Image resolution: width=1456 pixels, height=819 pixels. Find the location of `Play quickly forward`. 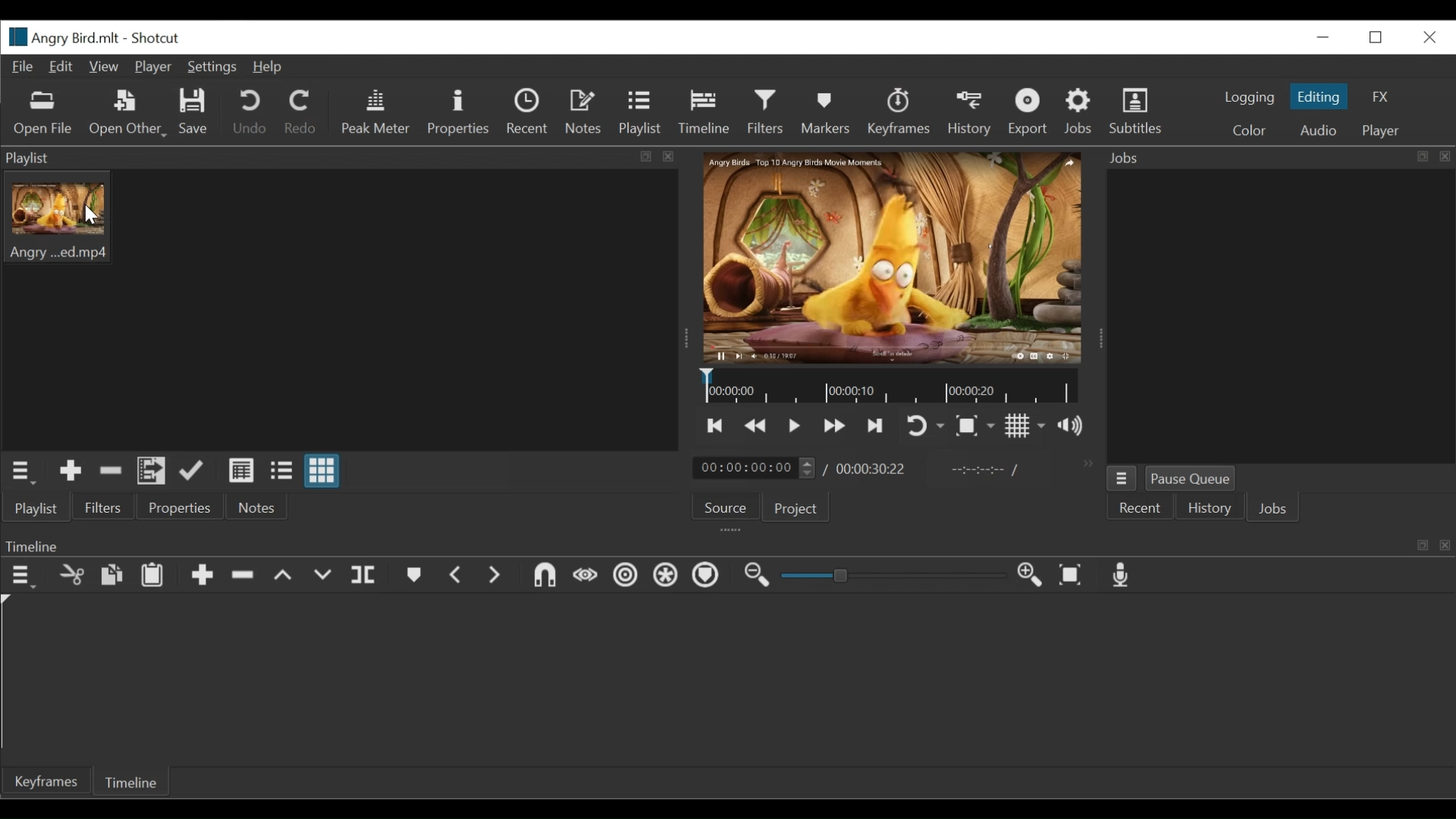

Play quickly forward is located at coordinates (835, 426).